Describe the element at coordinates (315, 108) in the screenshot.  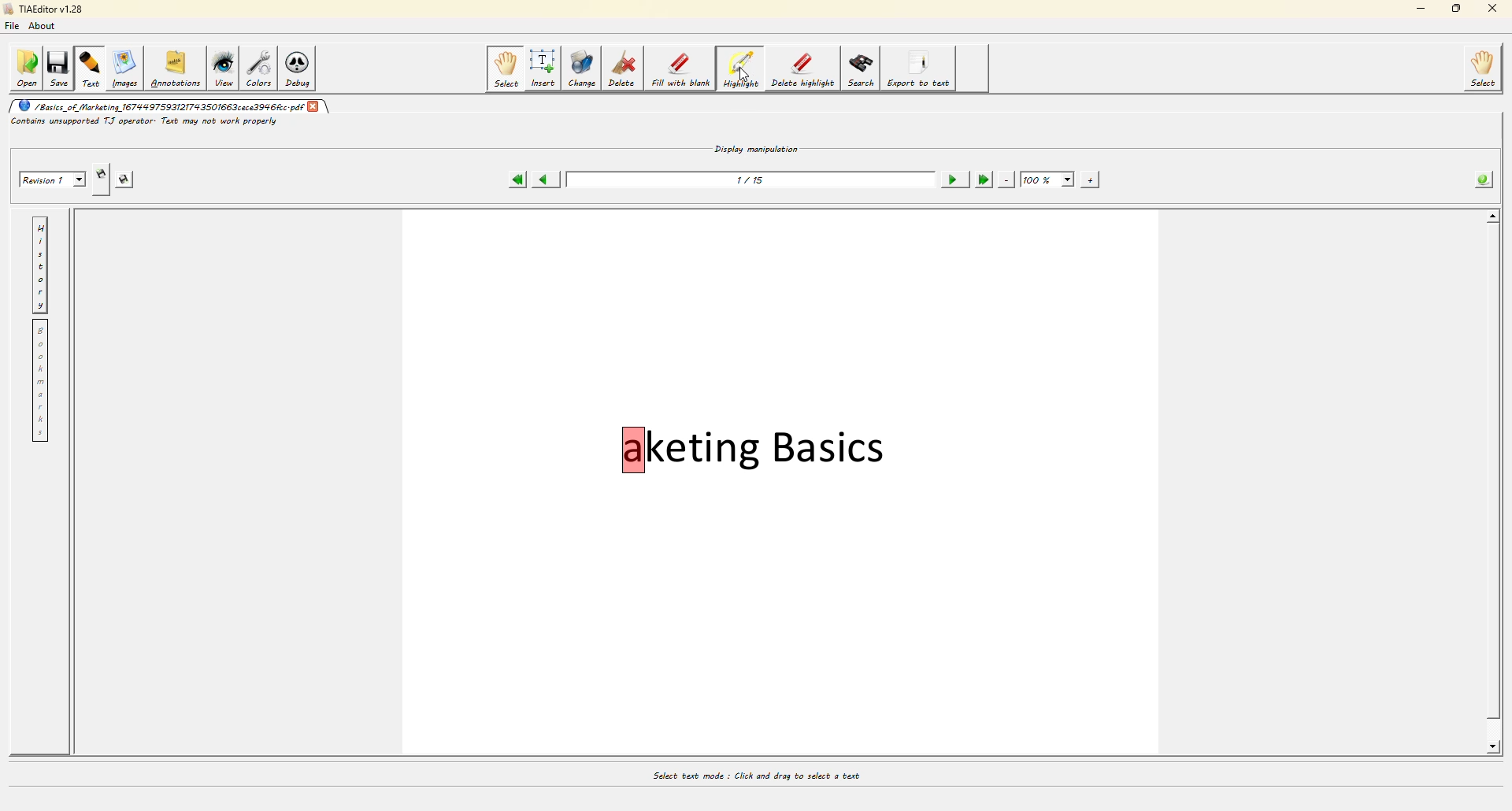
I see `close` at that location.